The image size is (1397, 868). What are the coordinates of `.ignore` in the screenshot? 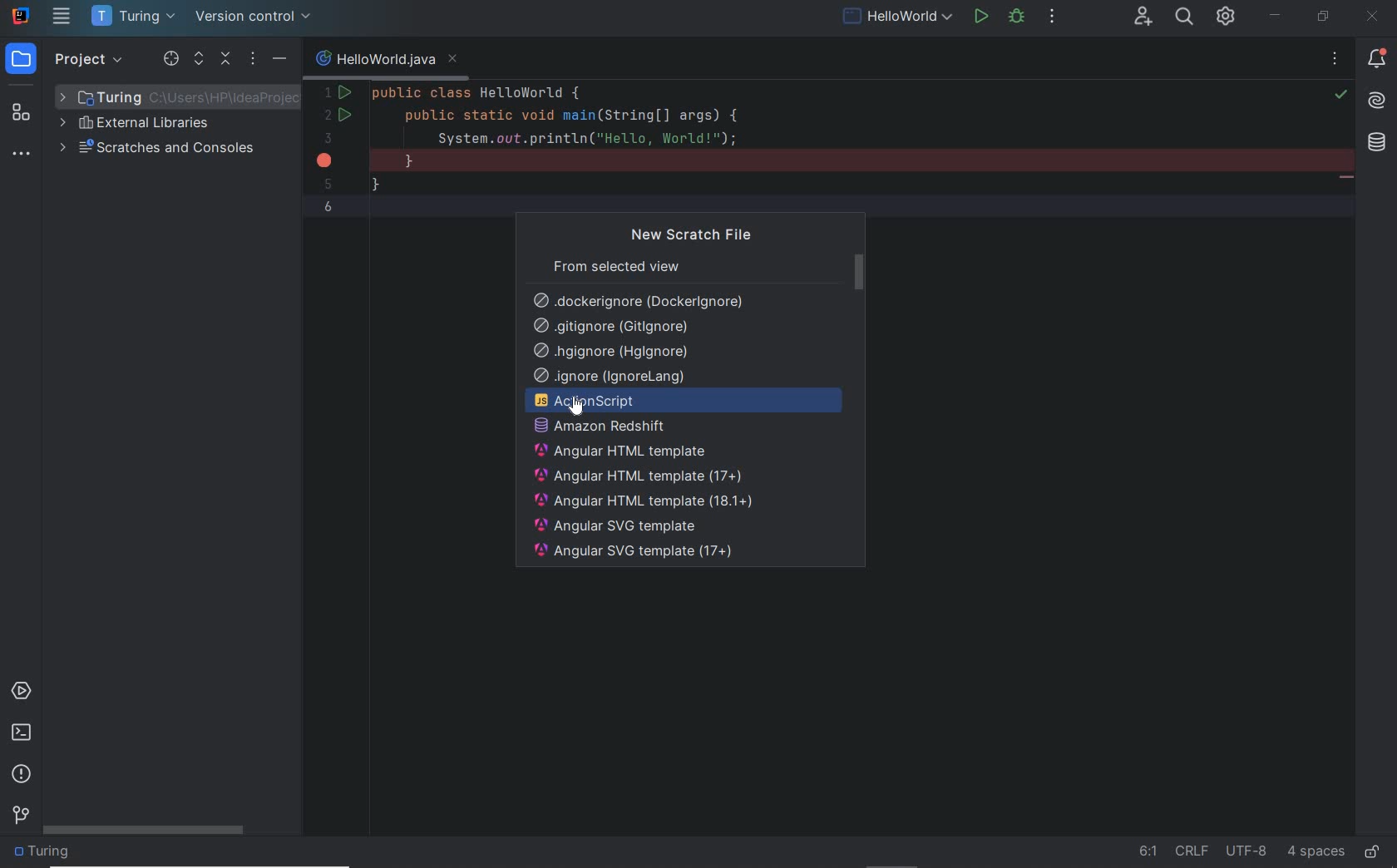 It's located at (612, 377).